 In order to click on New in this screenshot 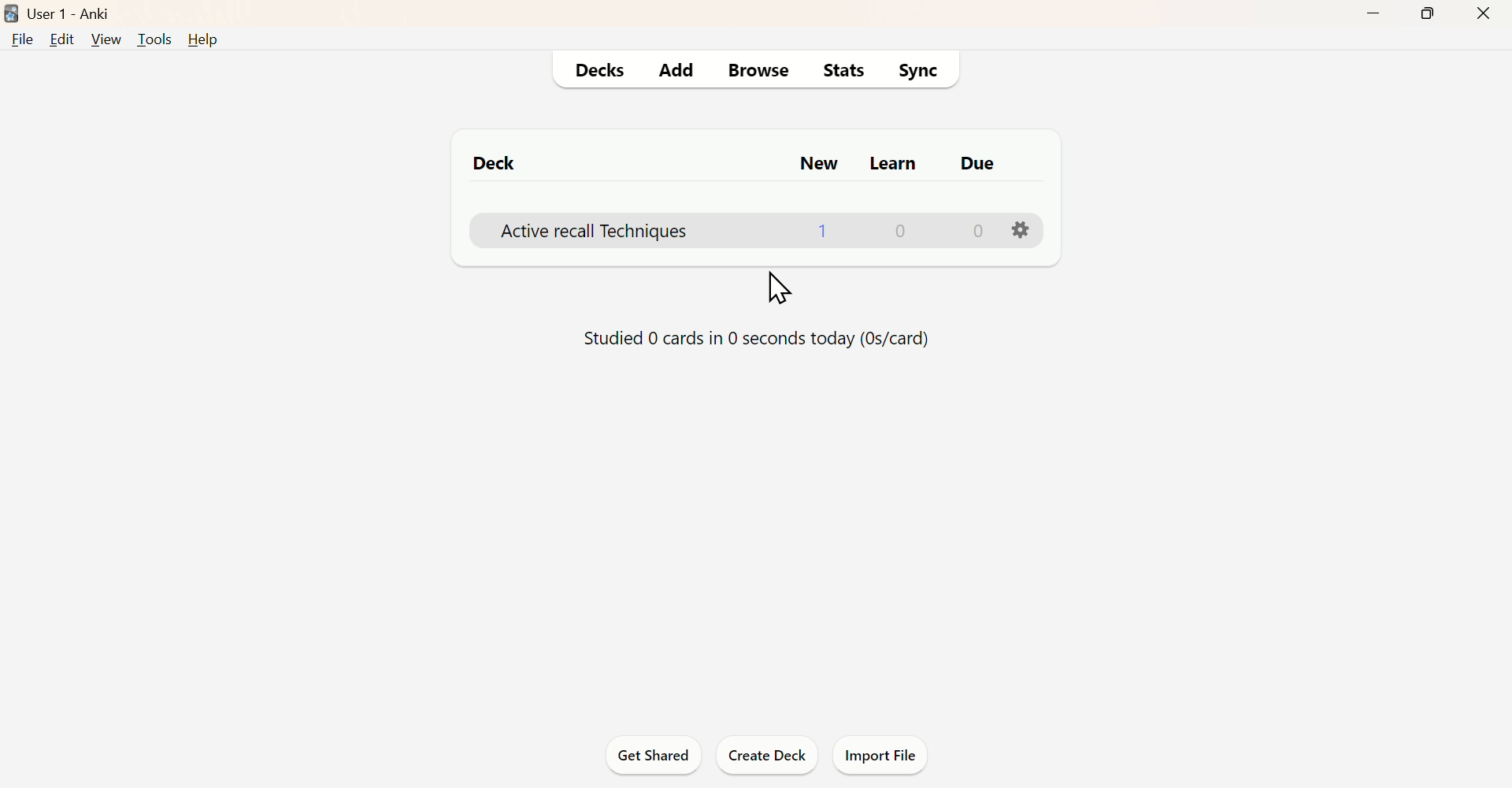, I will do `click(813, 162)`.